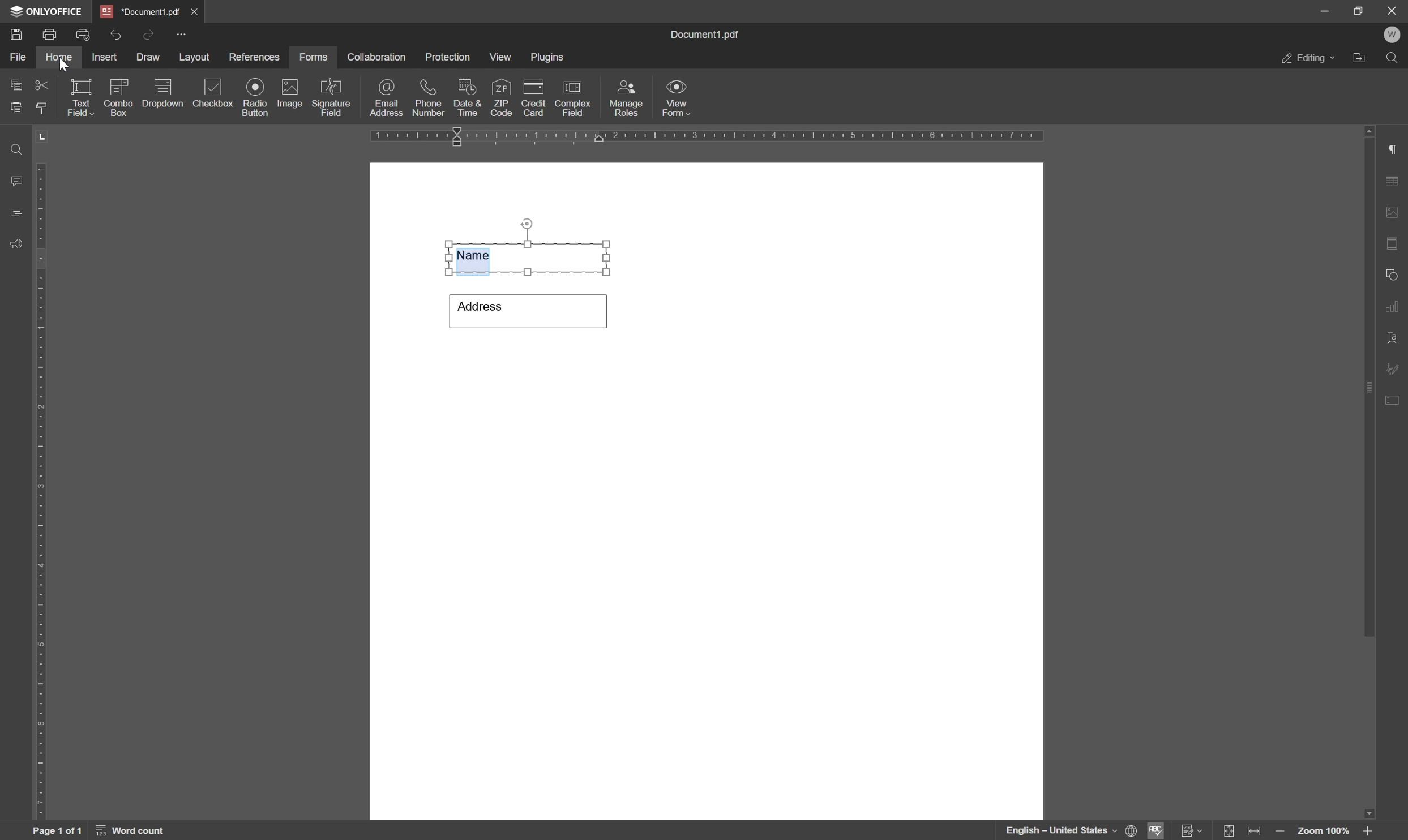 This screenshot has height=840, width=1408. What do you see at coordinates (1397, 215) in the screenshot?
I see `image settings` at bounding box center [1397, 215].